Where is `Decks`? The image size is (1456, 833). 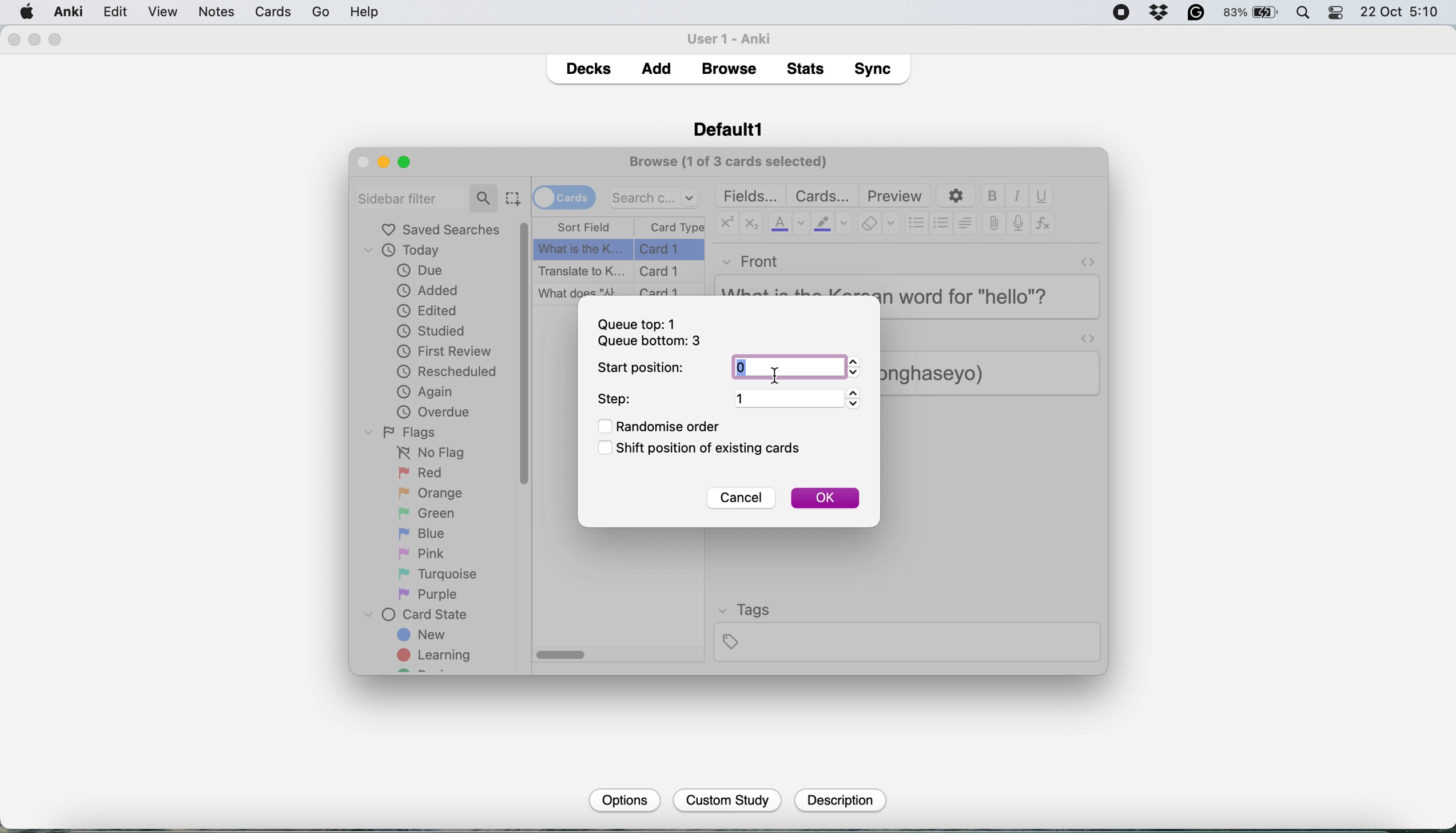 Decks is located at coordinates (588, 66).